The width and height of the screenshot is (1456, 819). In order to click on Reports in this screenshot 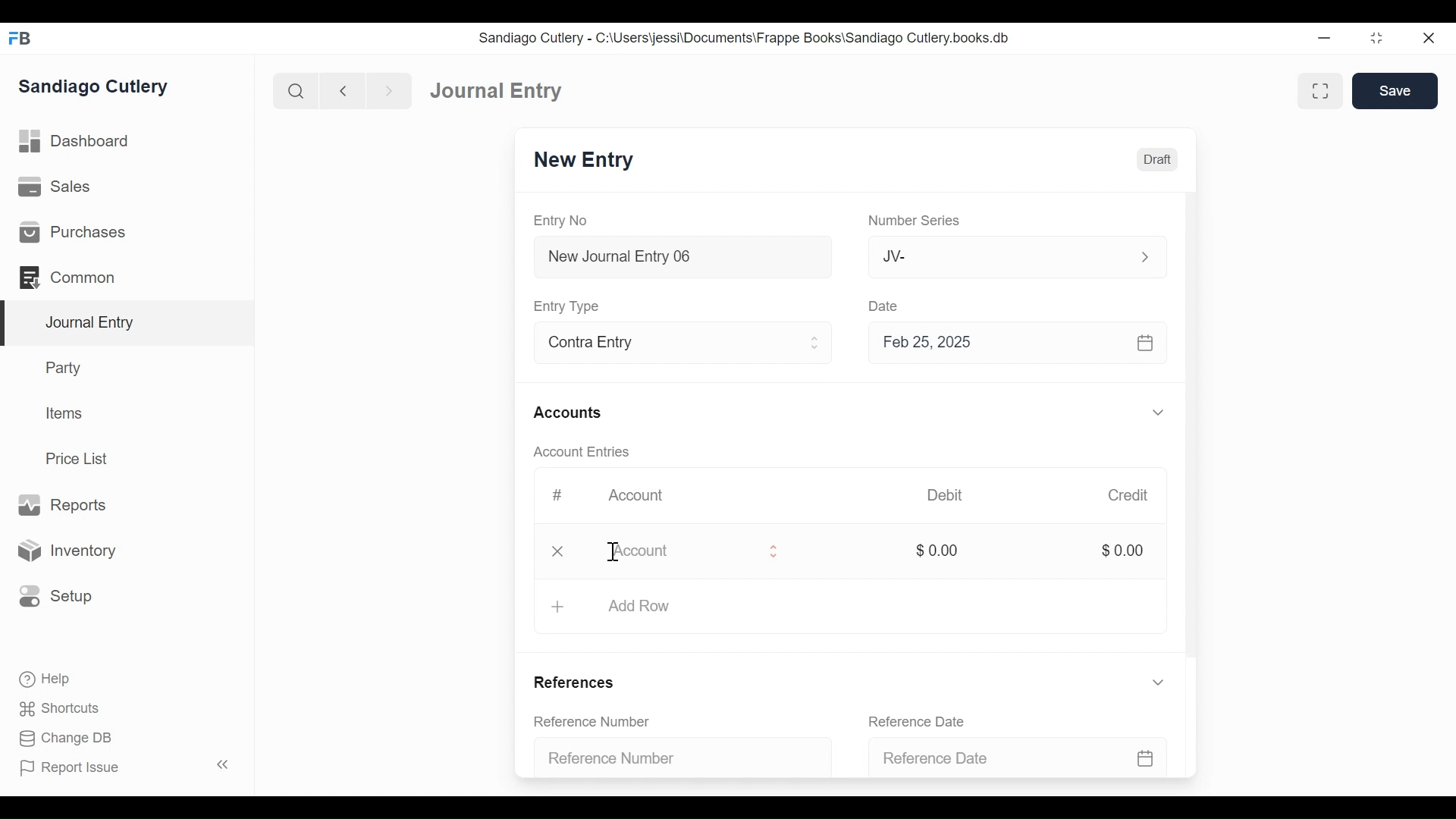, I will do `click(61, 506)`.